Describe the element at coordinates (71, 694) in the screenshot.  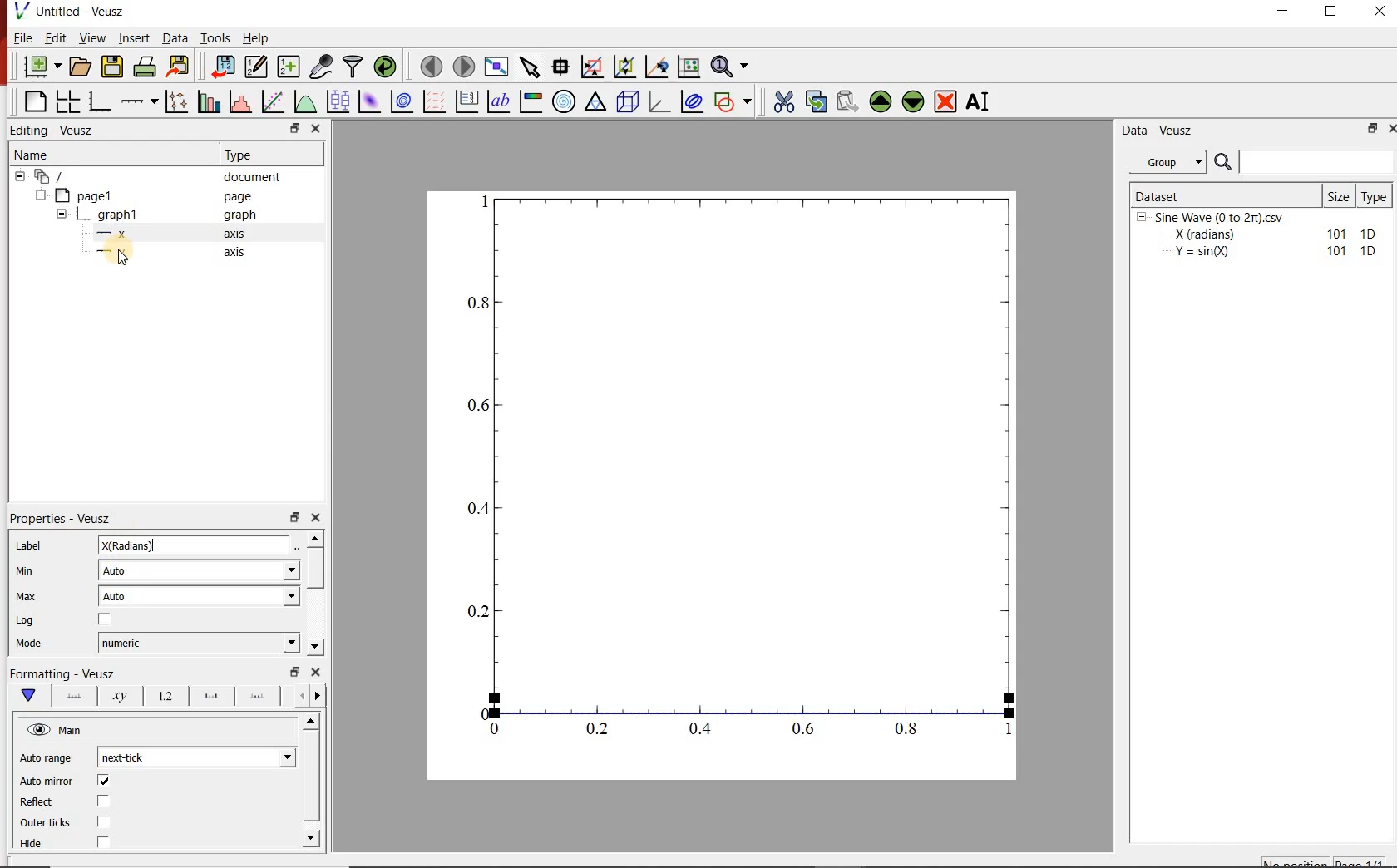
I see `options` at that location.